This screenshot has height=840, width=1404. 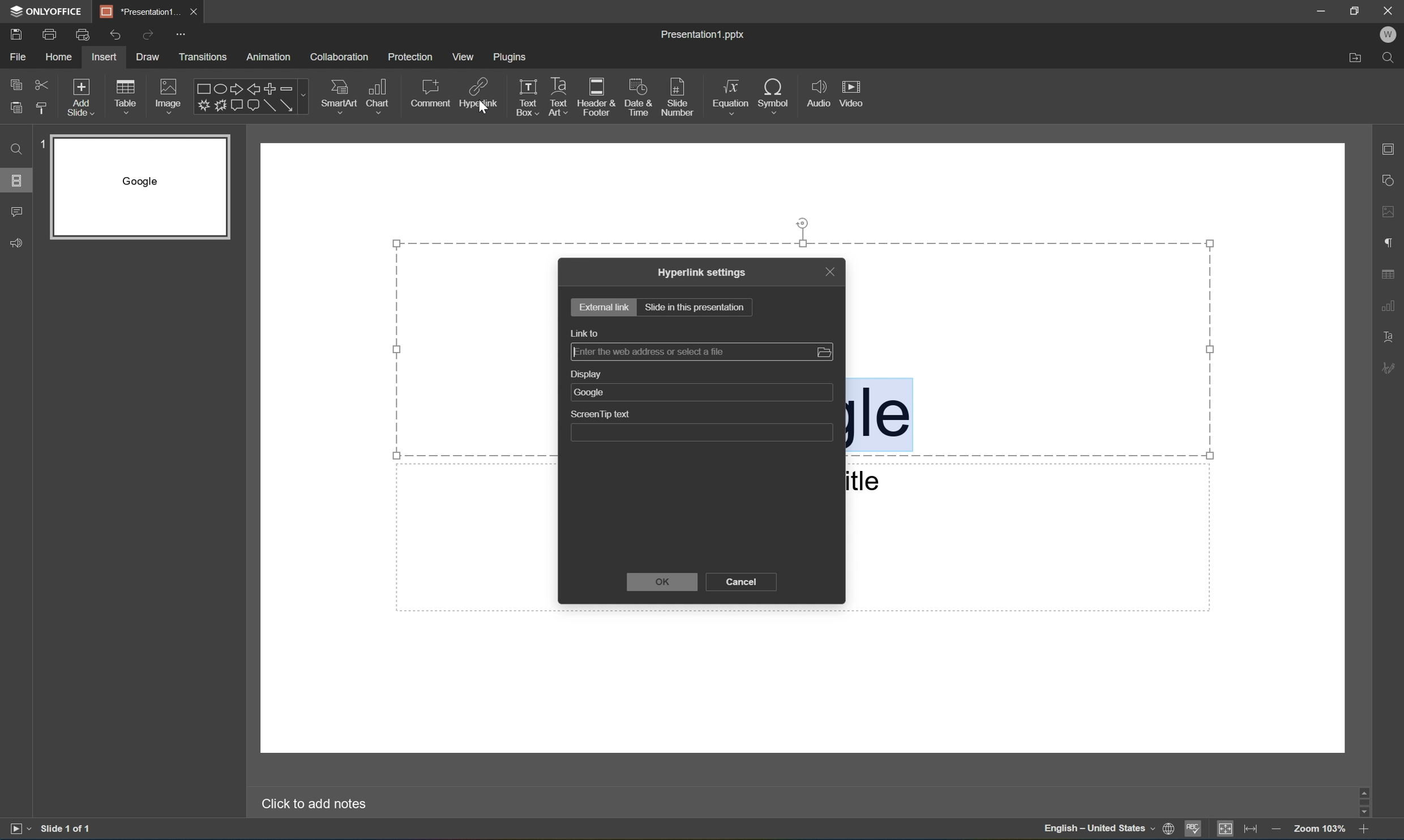 What do you see at coordinates (640, 95) in the screenshot?
I see `Date and time` at bounding box center [640, 95].